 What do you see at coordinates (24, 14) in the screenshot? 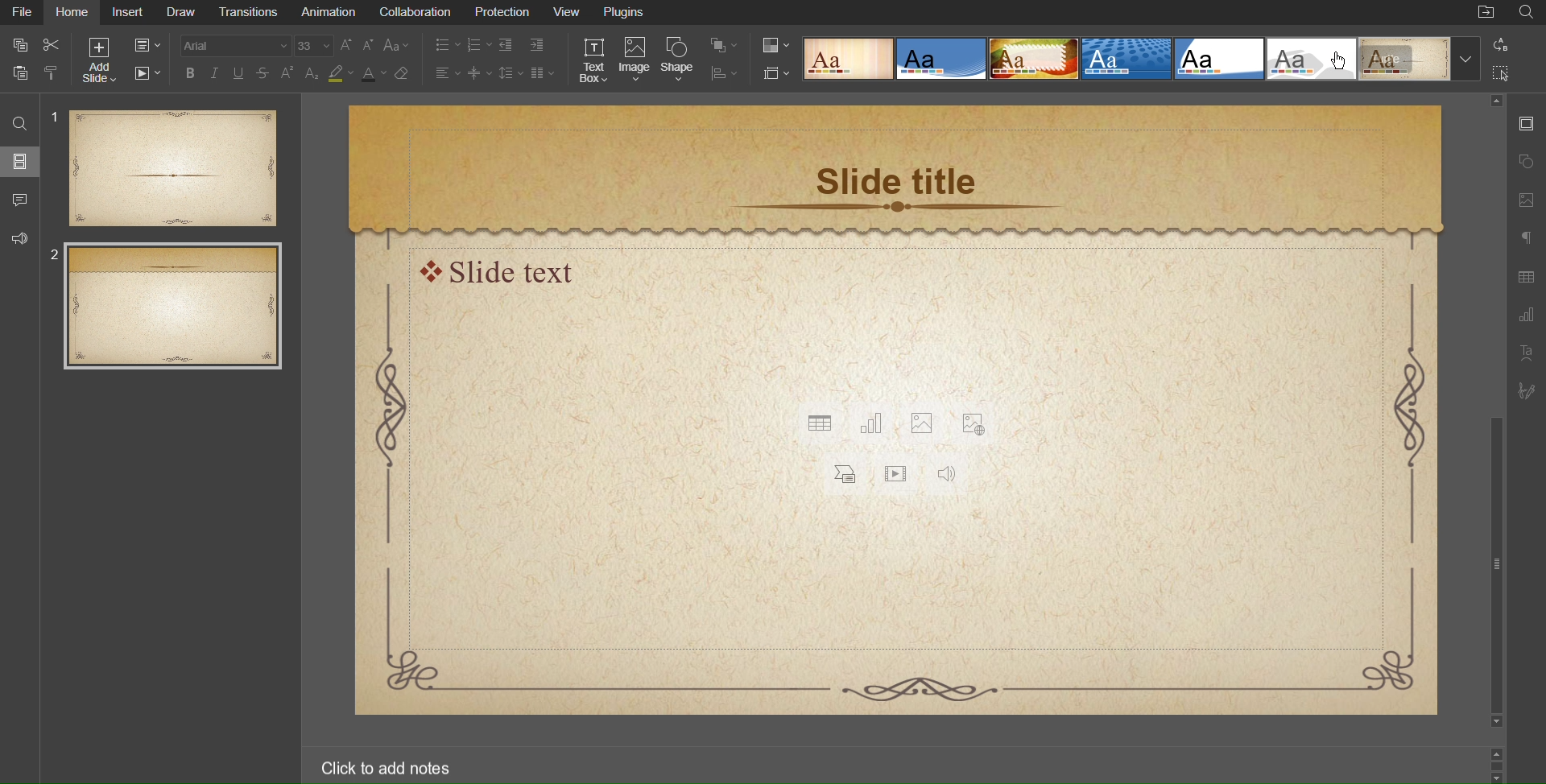
I see `File` at bounding box center [24, 14].